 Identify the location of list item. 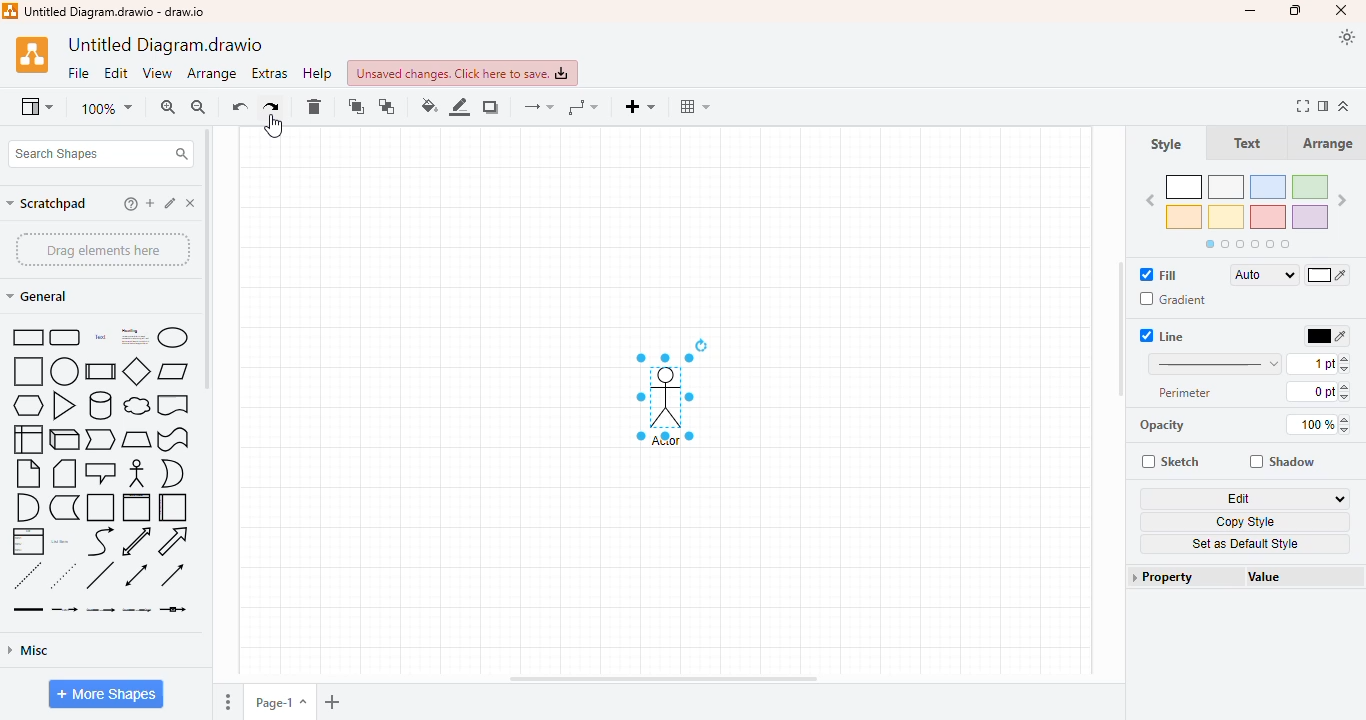
(61, 541).